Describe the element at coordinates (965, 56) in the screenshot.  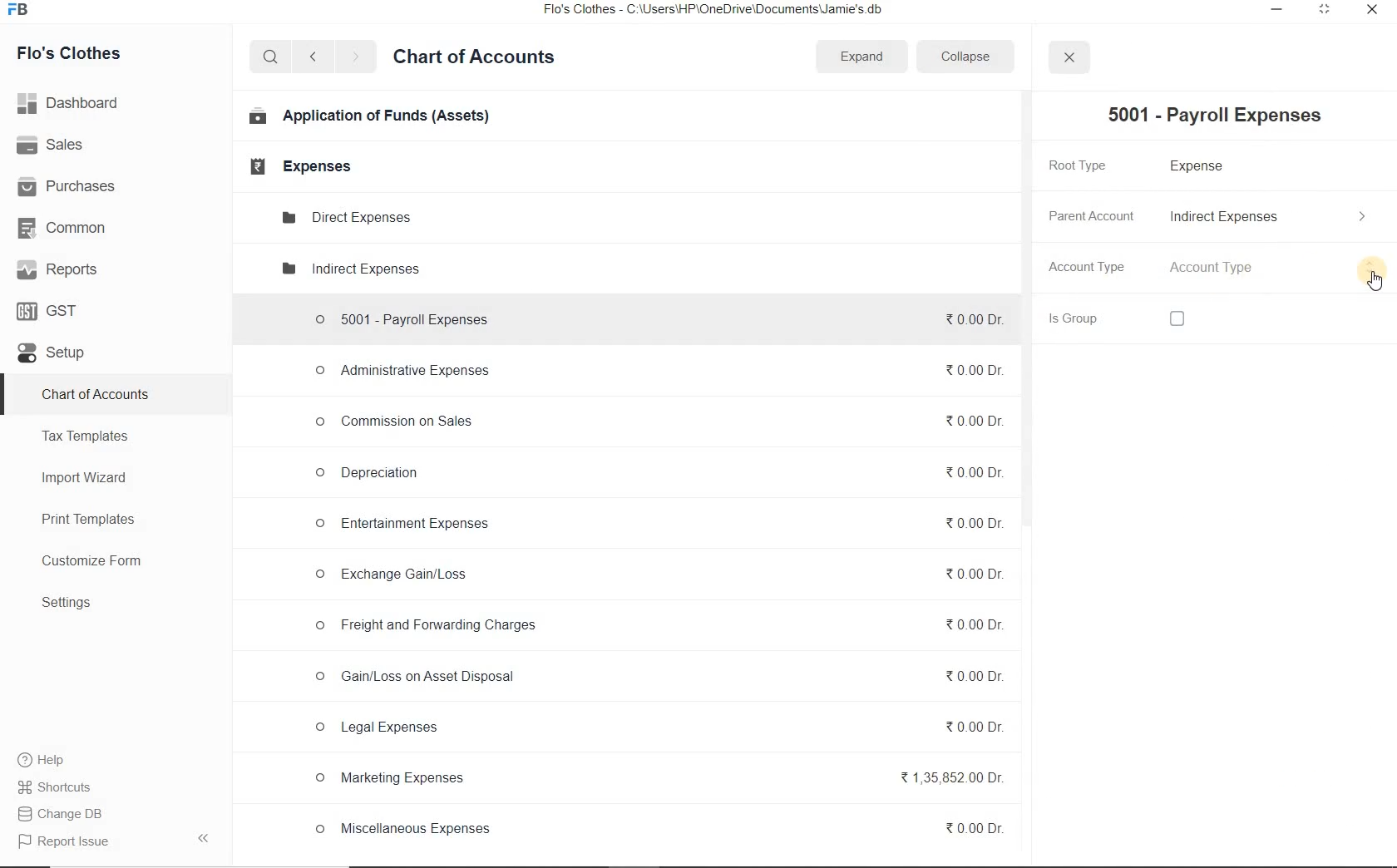
I see `Collapse` at that location.